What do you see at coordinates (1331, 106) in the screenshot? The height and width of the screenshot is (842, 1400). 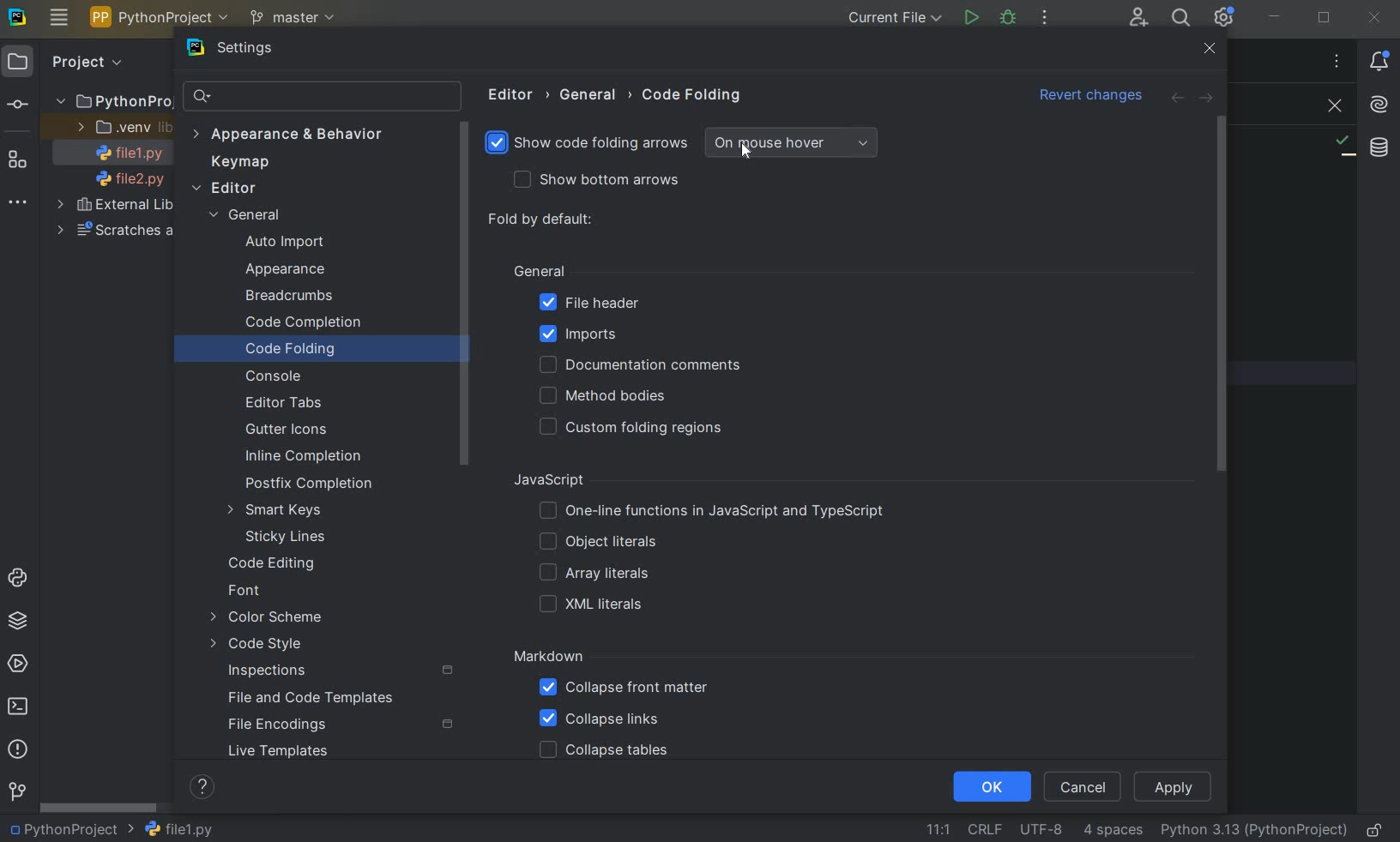 I see `CLOSE` at bounding box center [1331, 106].